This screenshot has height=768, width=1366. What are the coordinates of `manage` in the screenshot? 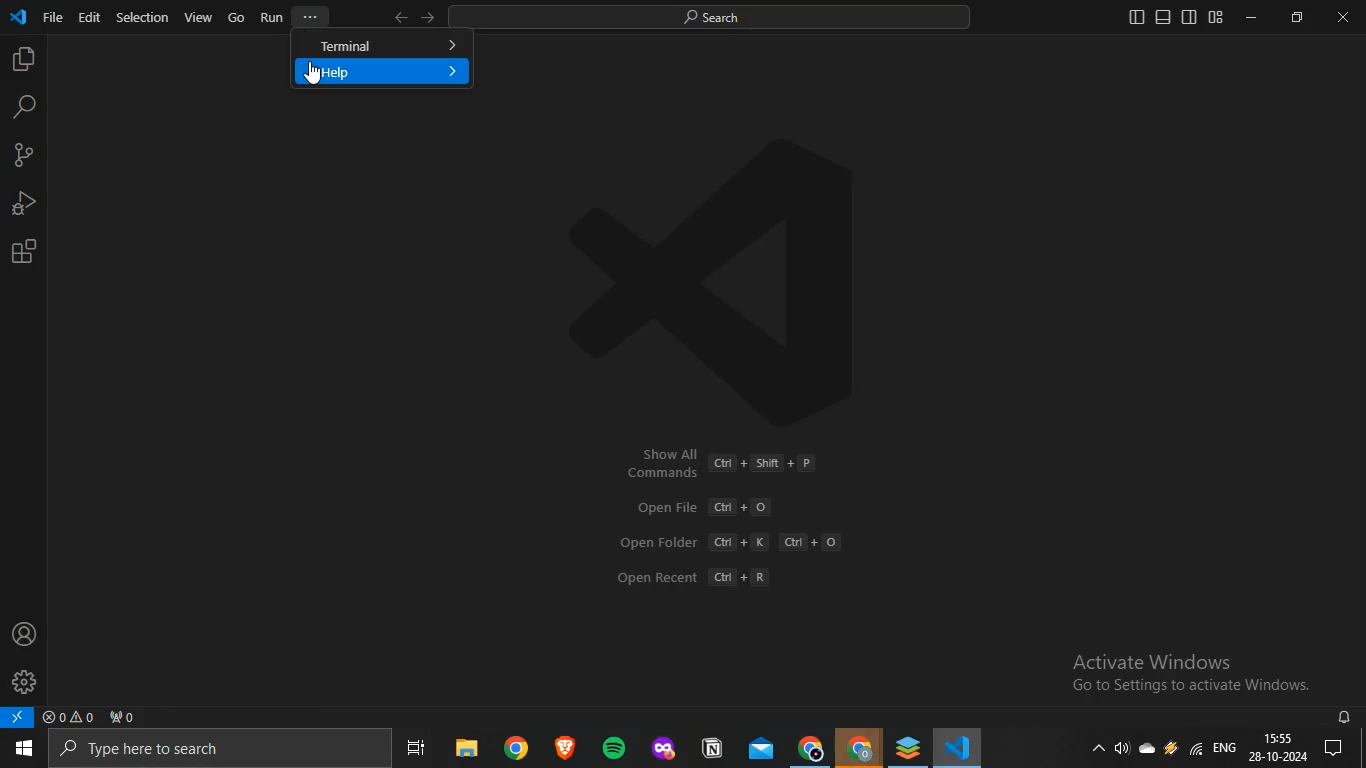 It's located at (24, 679).